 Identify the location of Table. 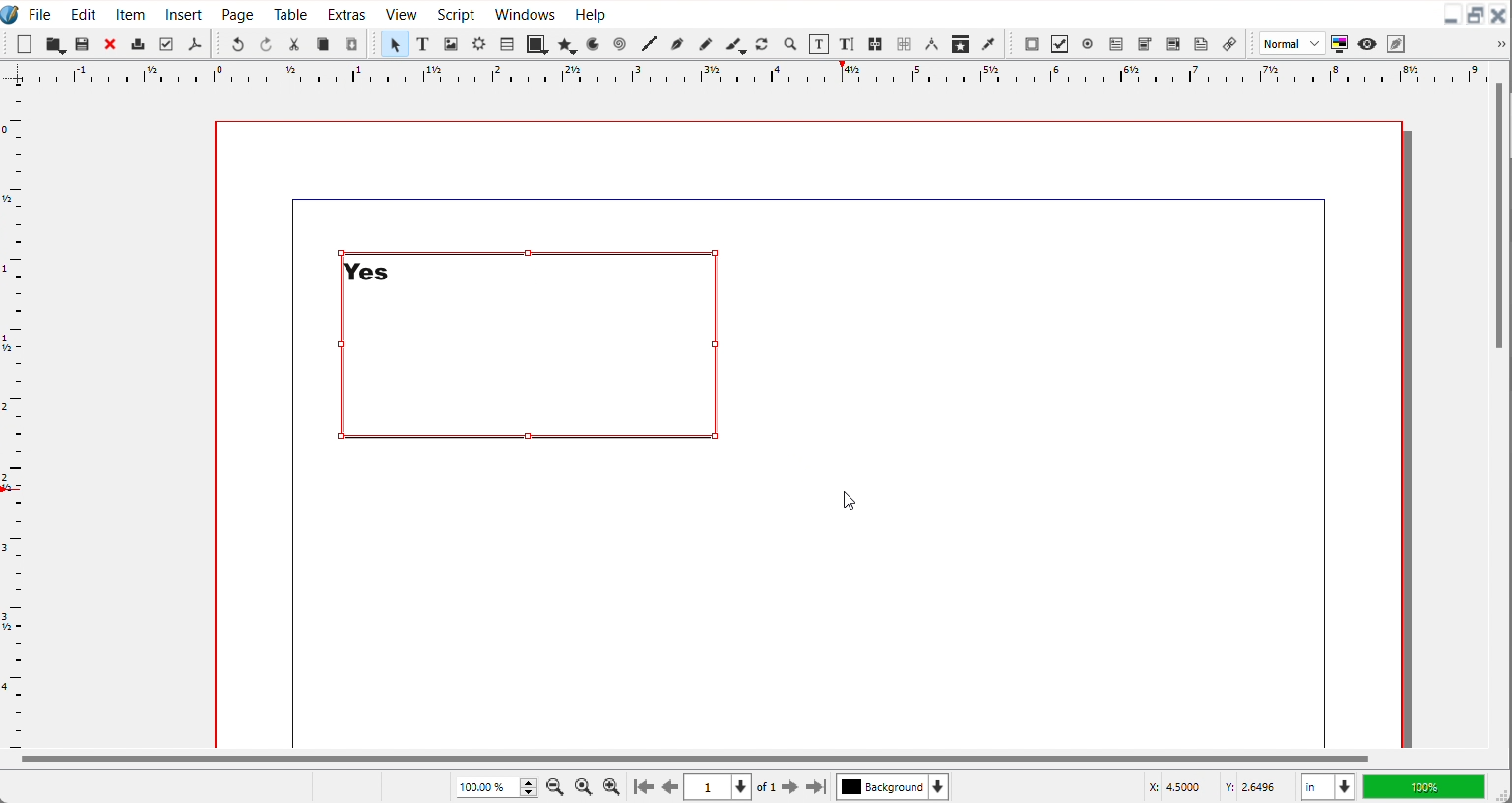
(506, 43).